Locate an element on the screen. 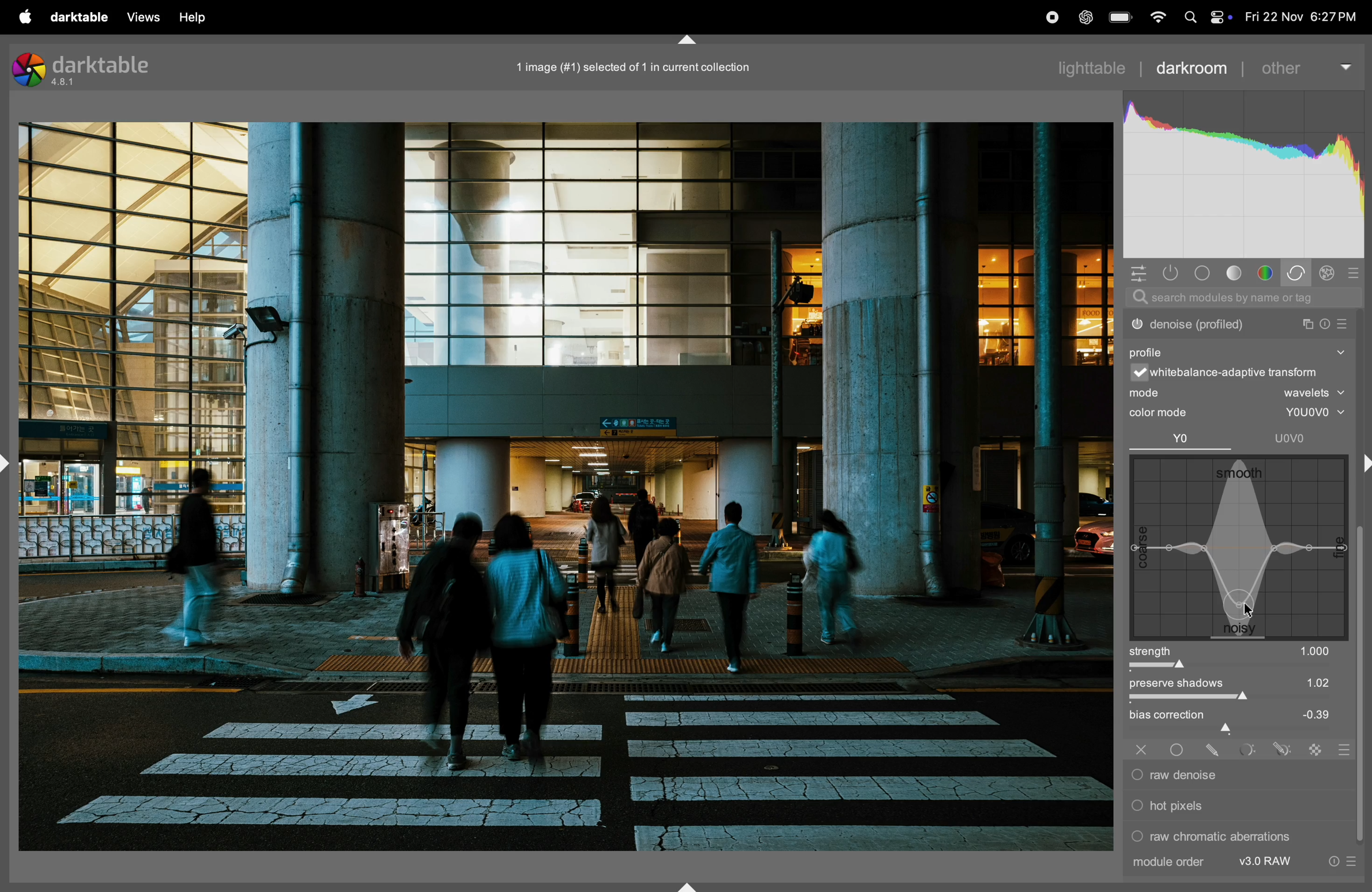  1 imge selected is located at coordinates (636, 67).